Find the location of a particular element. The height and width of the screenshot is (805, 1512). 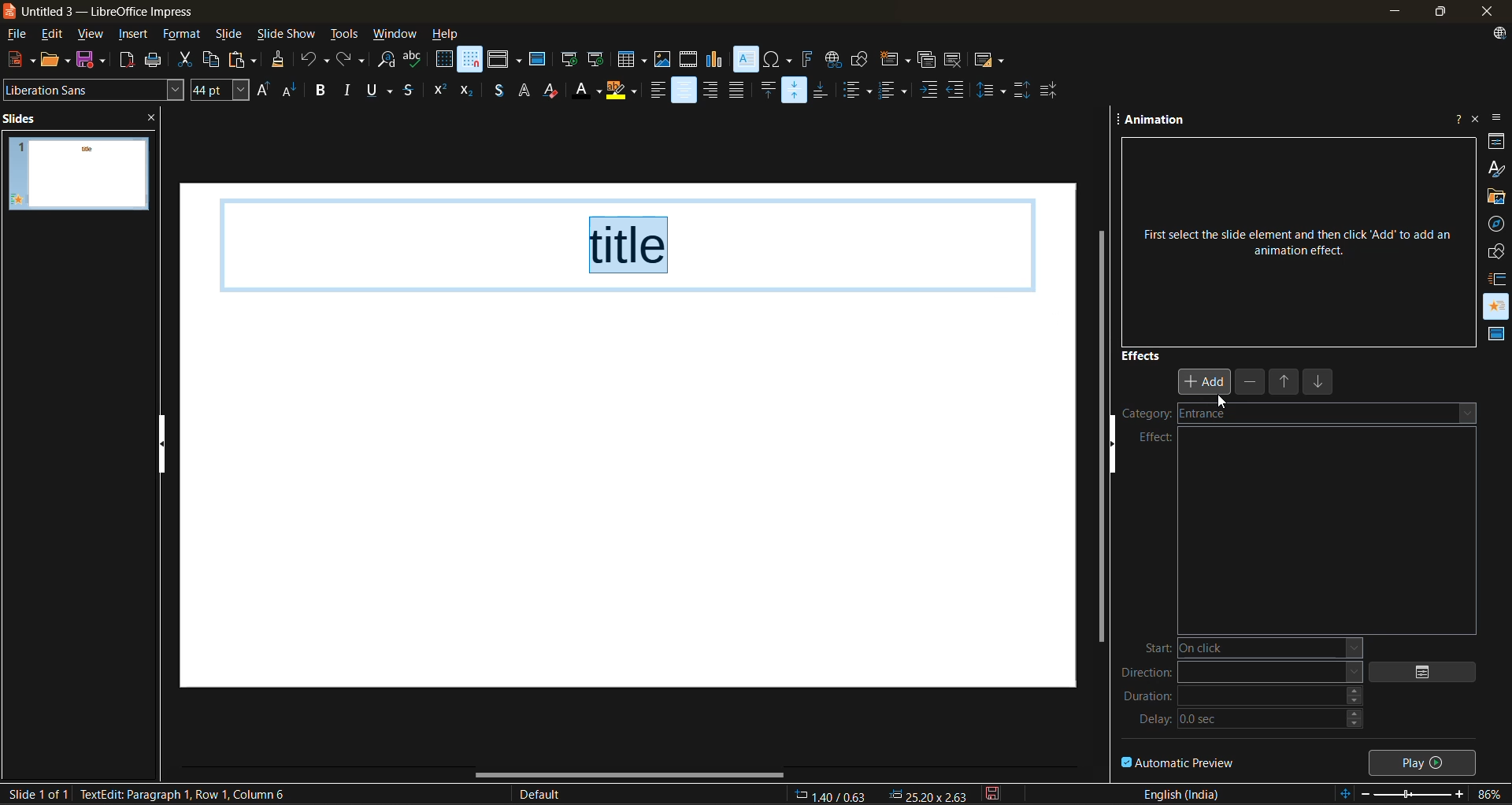

zoom slider is located at coordinates (1417, 796).